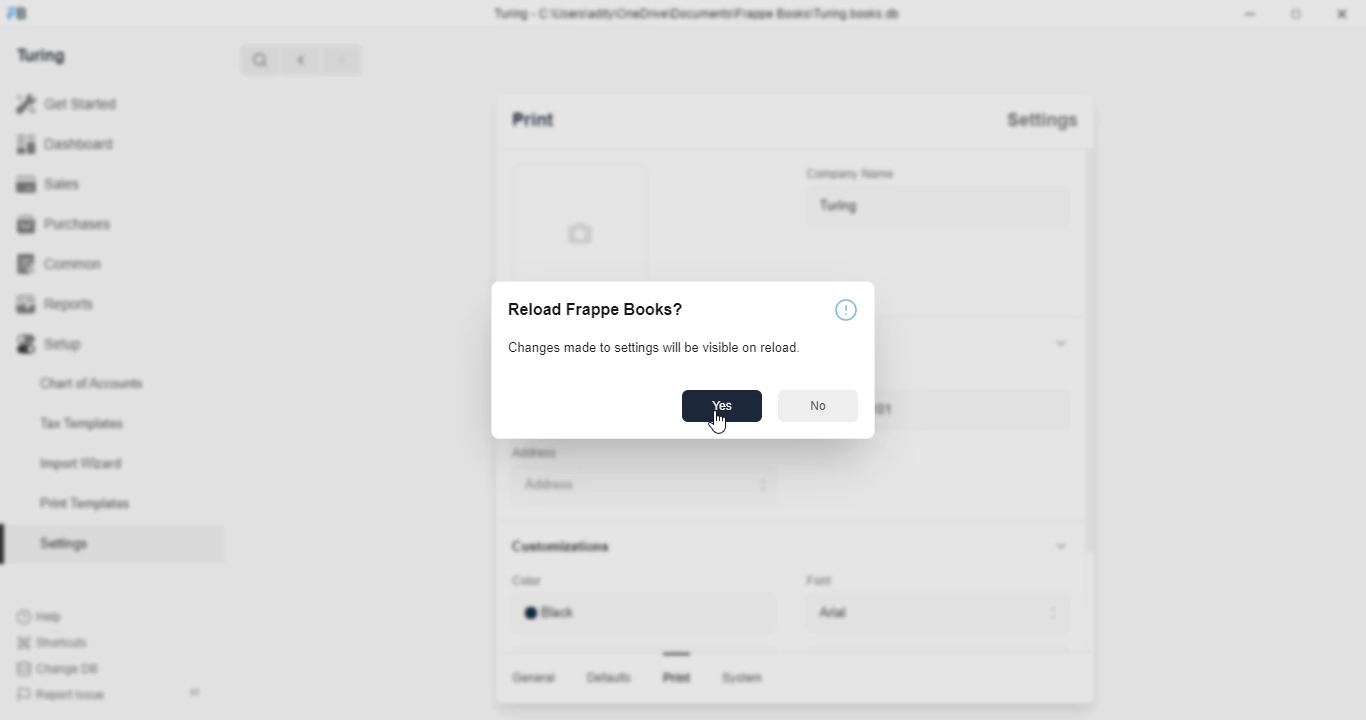  I want to click on System, so click(746, 679).